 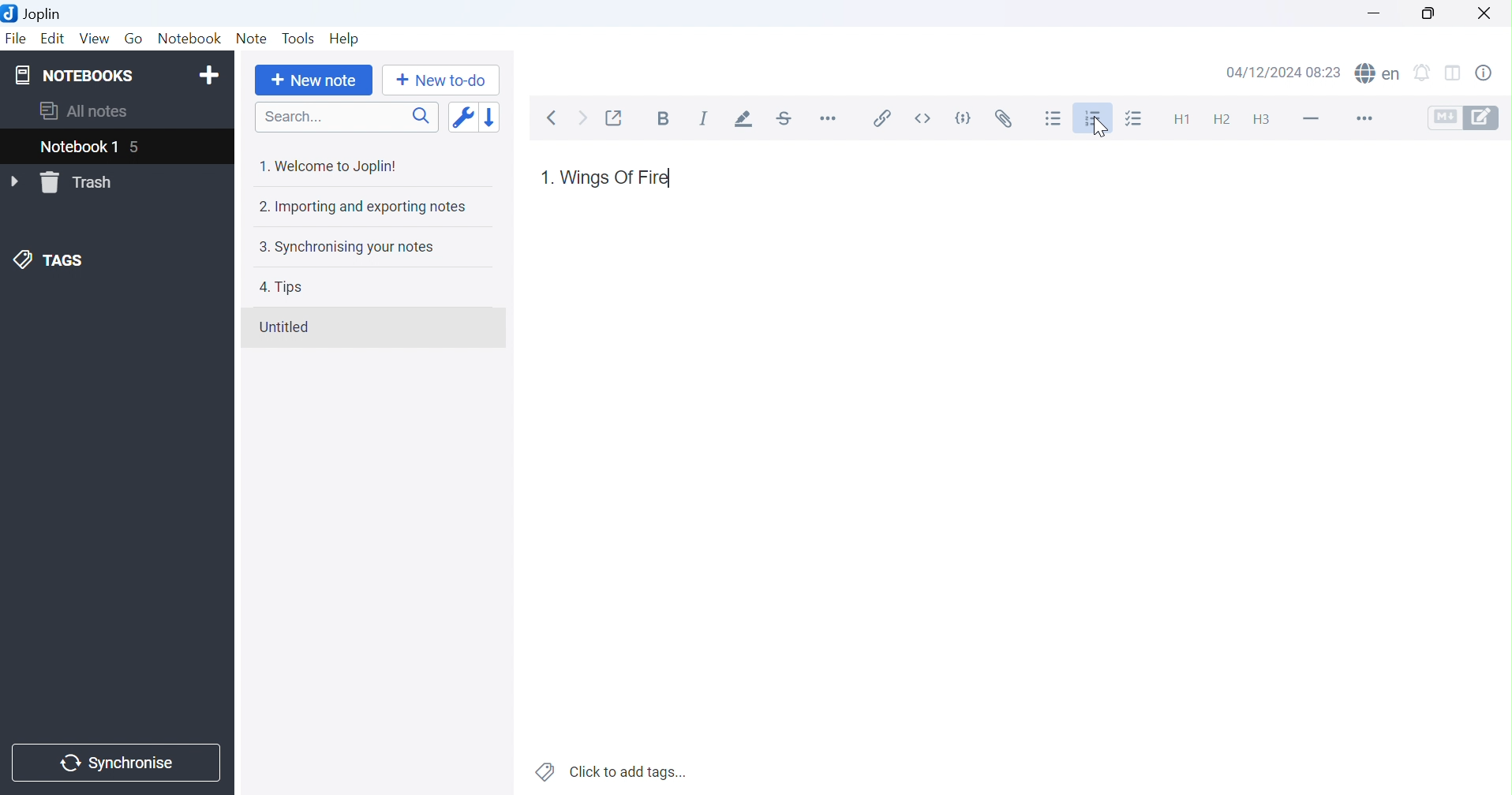 What do you see at coordinates (1098, 128) in the screenshot?
I see `Cursor` at bounding box center [1098, 128].